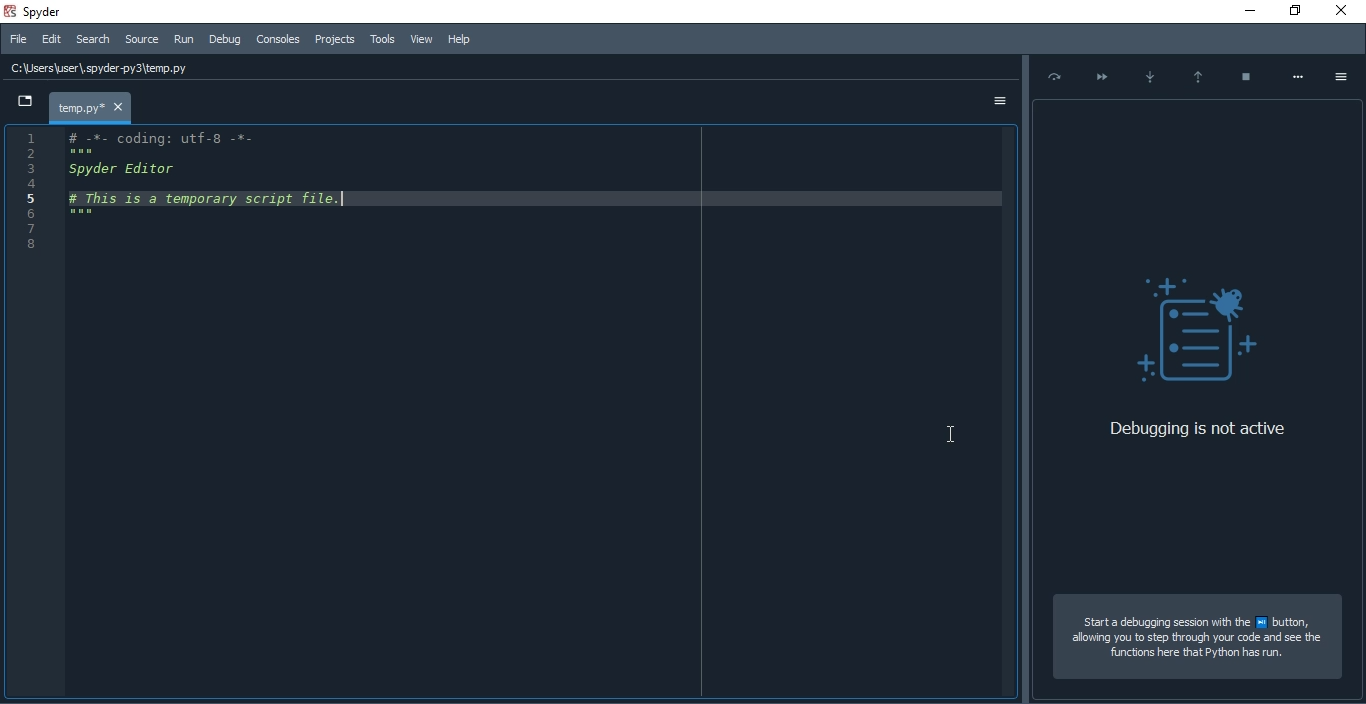 This screenshot has width=1366, height=704. Describe the element at coordinates (334, 39) in the screenshot. I see `Consoles` at that location.